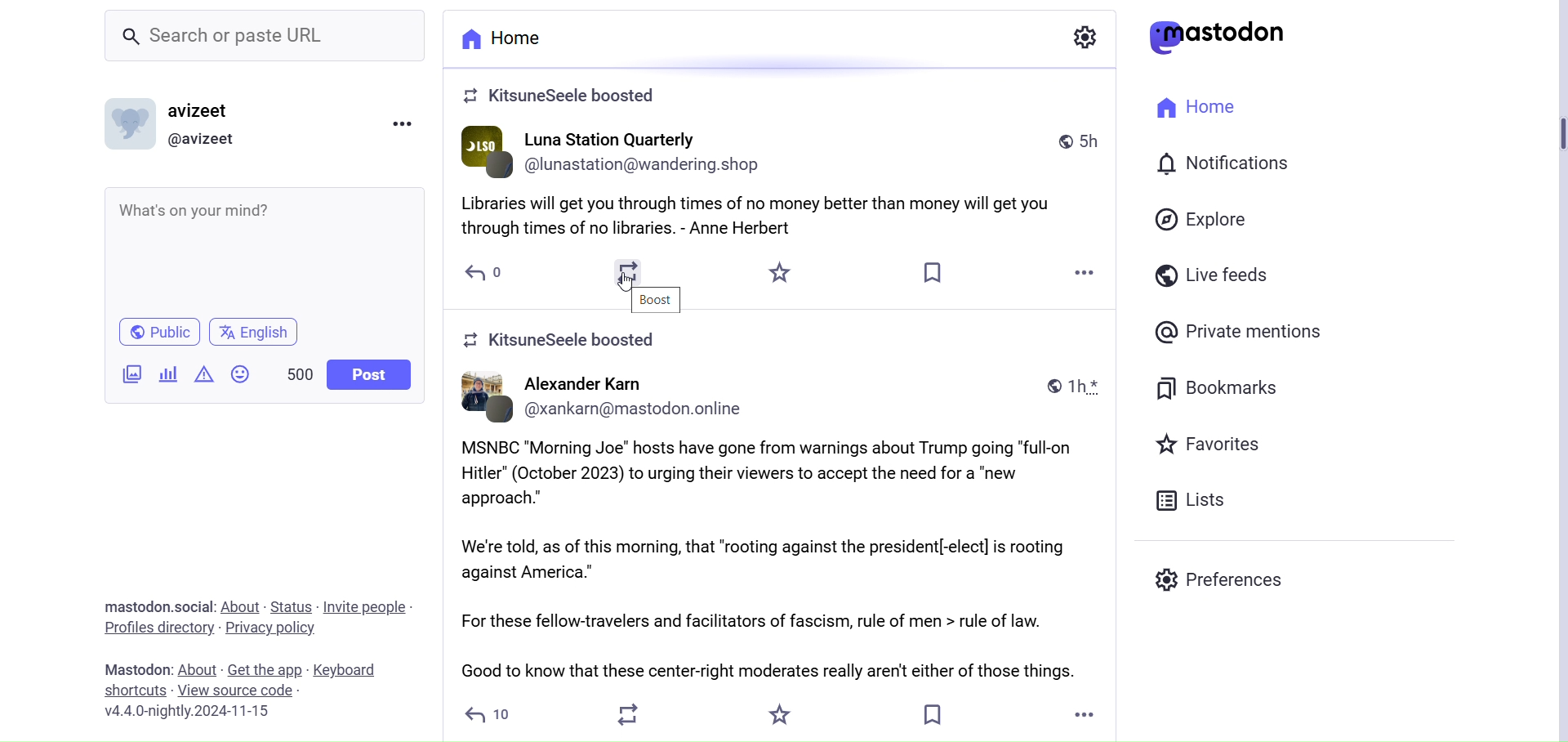  What do you see at coordinates (659, 299) in the screenshot?
I see `Boost` at bounding box center [659, 299].